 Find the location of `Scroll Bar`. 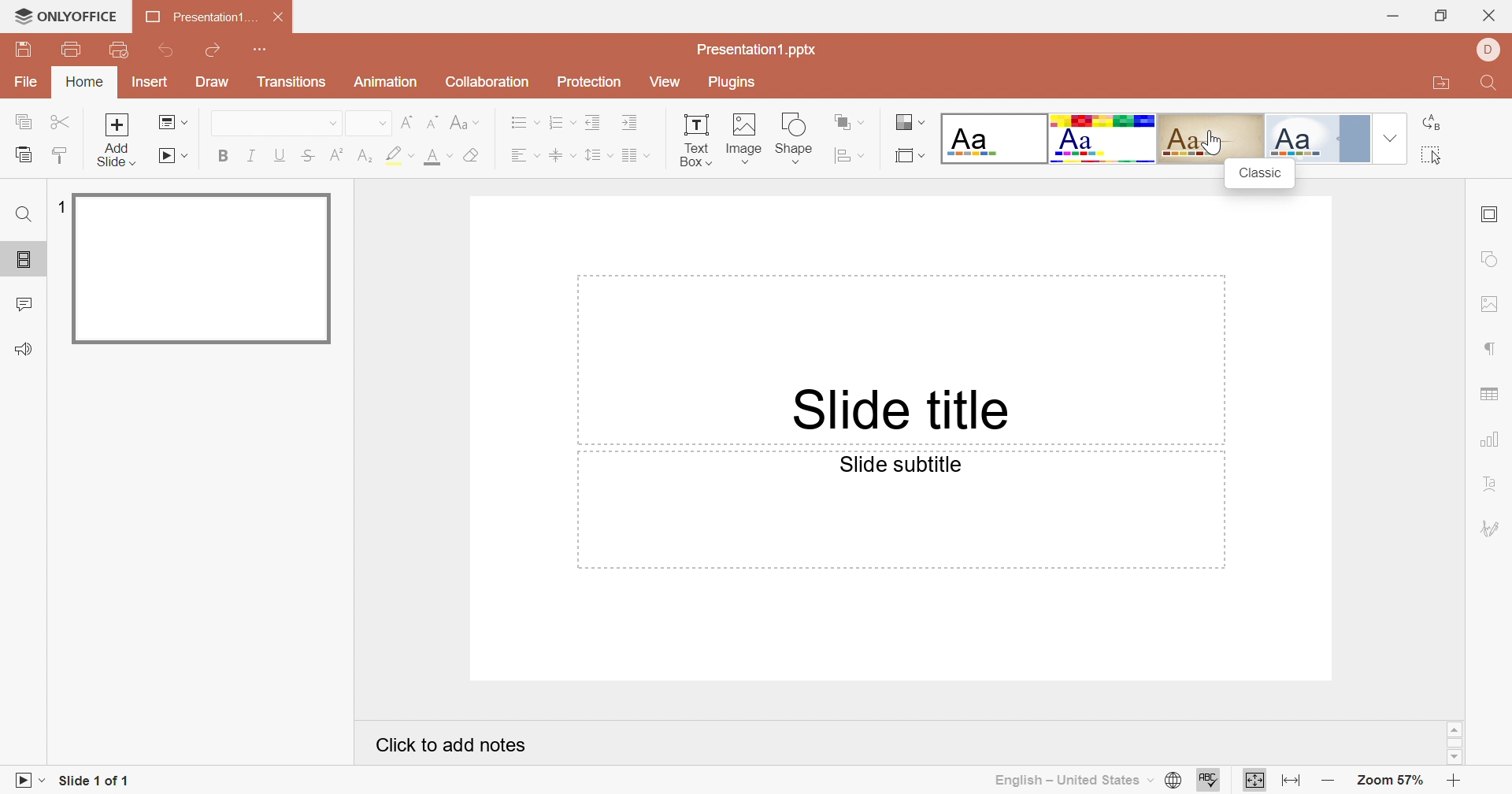

Scroll Bar is located at coordinates (1453, 744).